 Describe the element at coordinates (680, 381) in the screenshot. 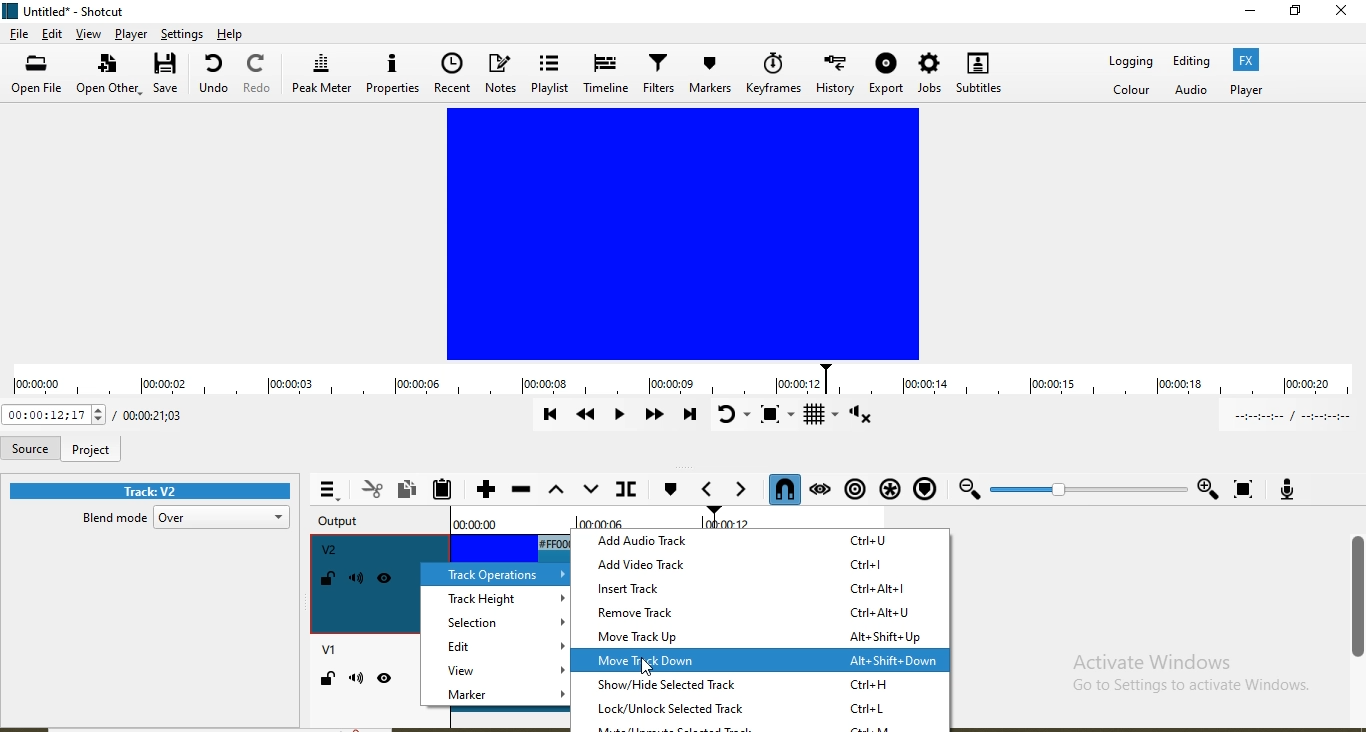

I see `timeline` at that location.